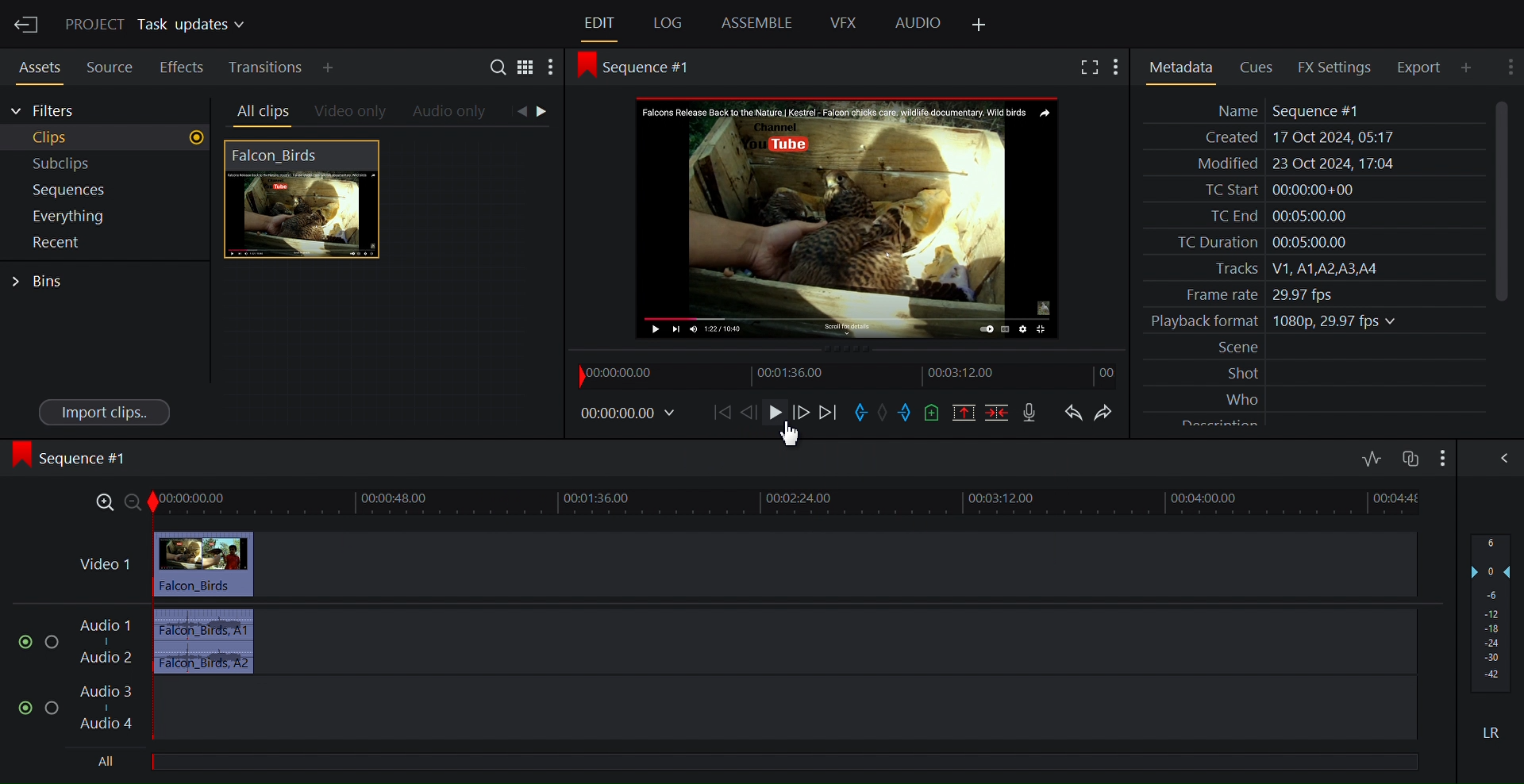 The width and height of the screenshot is (1524, 784). Describe the element at coordinates (521, 112) in the screenshot. I see `Click to go back` at that location.